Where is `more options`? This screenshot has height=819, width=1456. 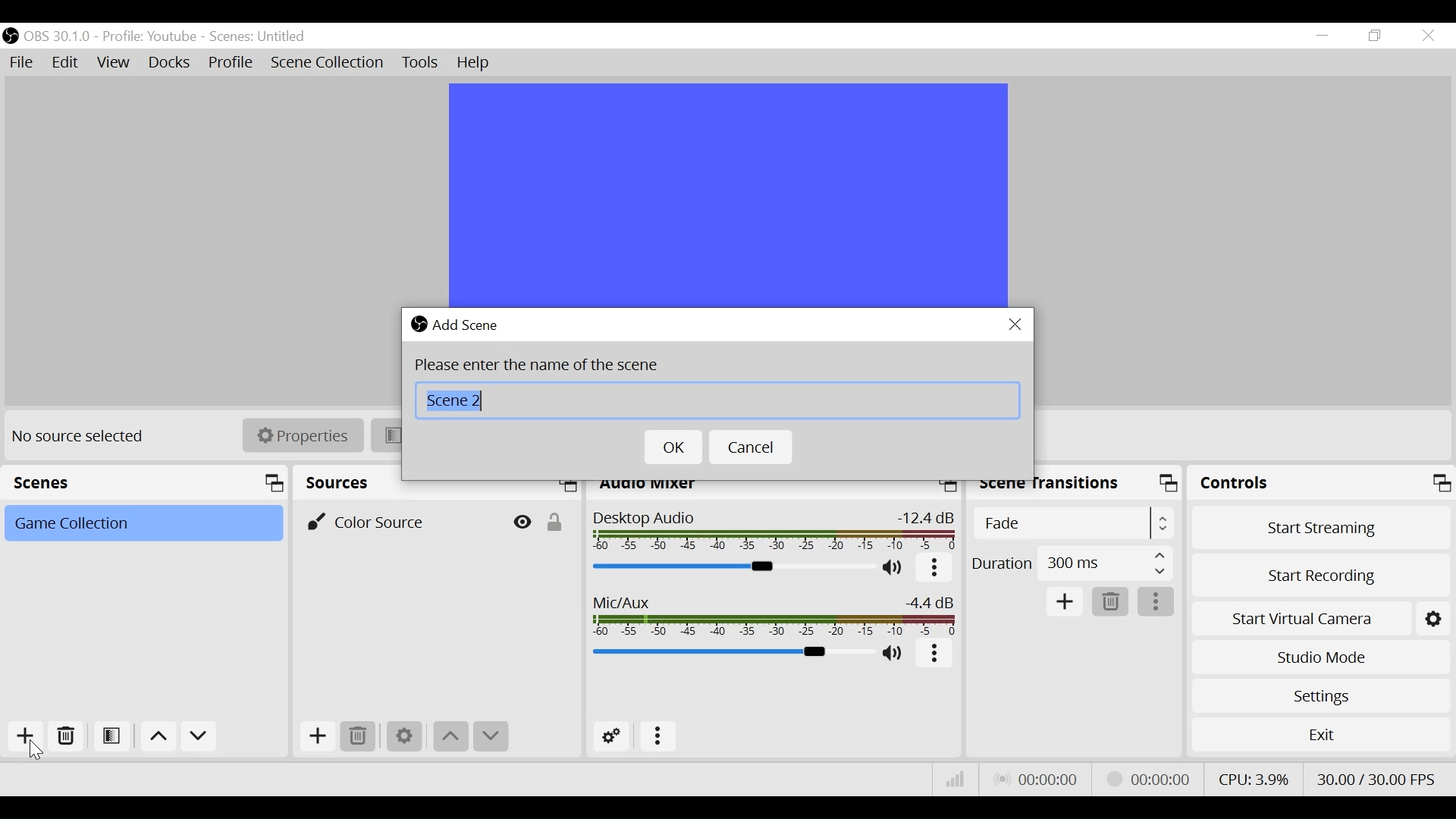
more options is located at coordinates (936, 655).